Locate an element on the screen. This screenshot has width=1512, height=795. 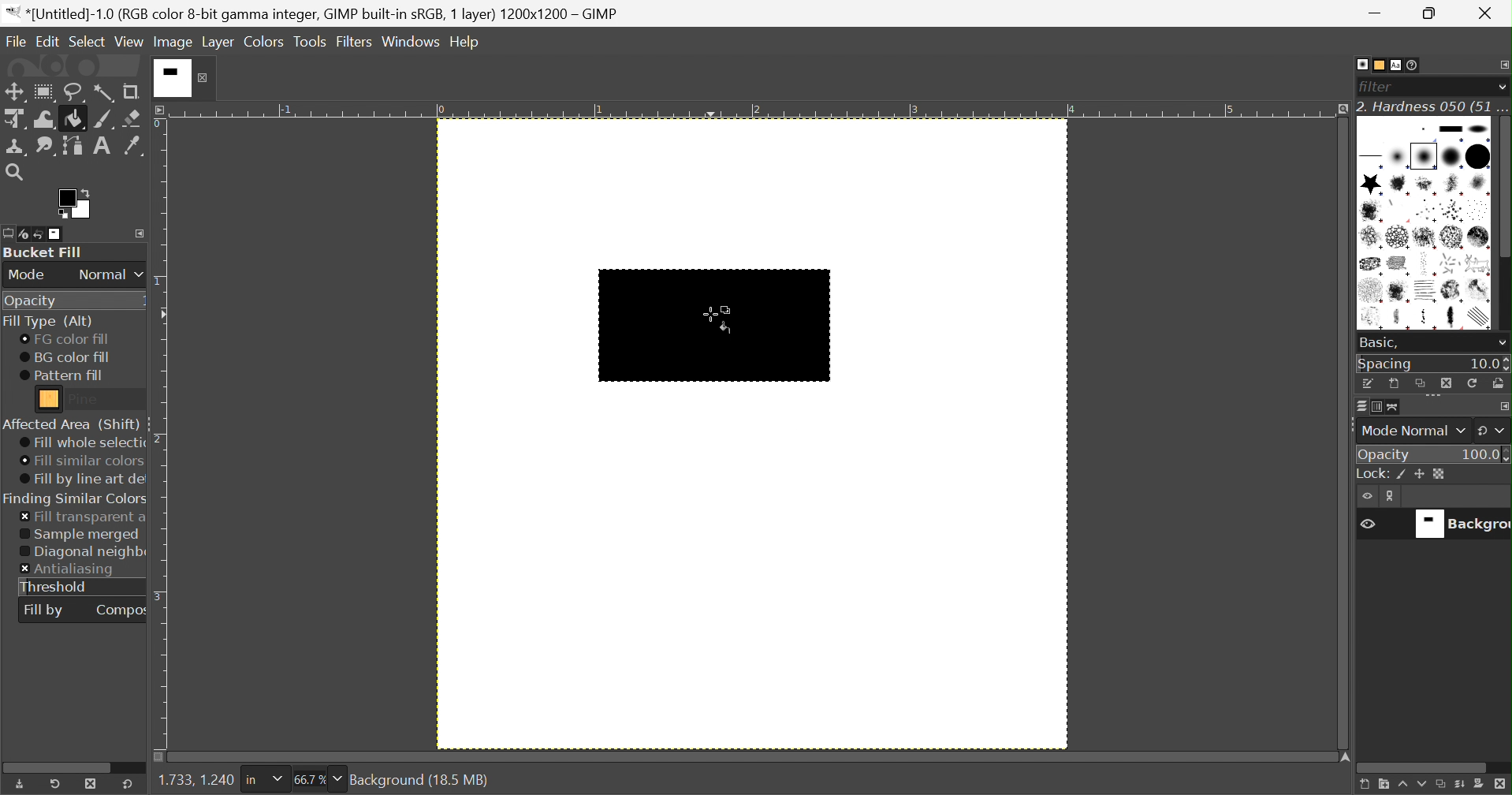
Create a new layer group and add it to the image is located at coordinates (1382, 786).